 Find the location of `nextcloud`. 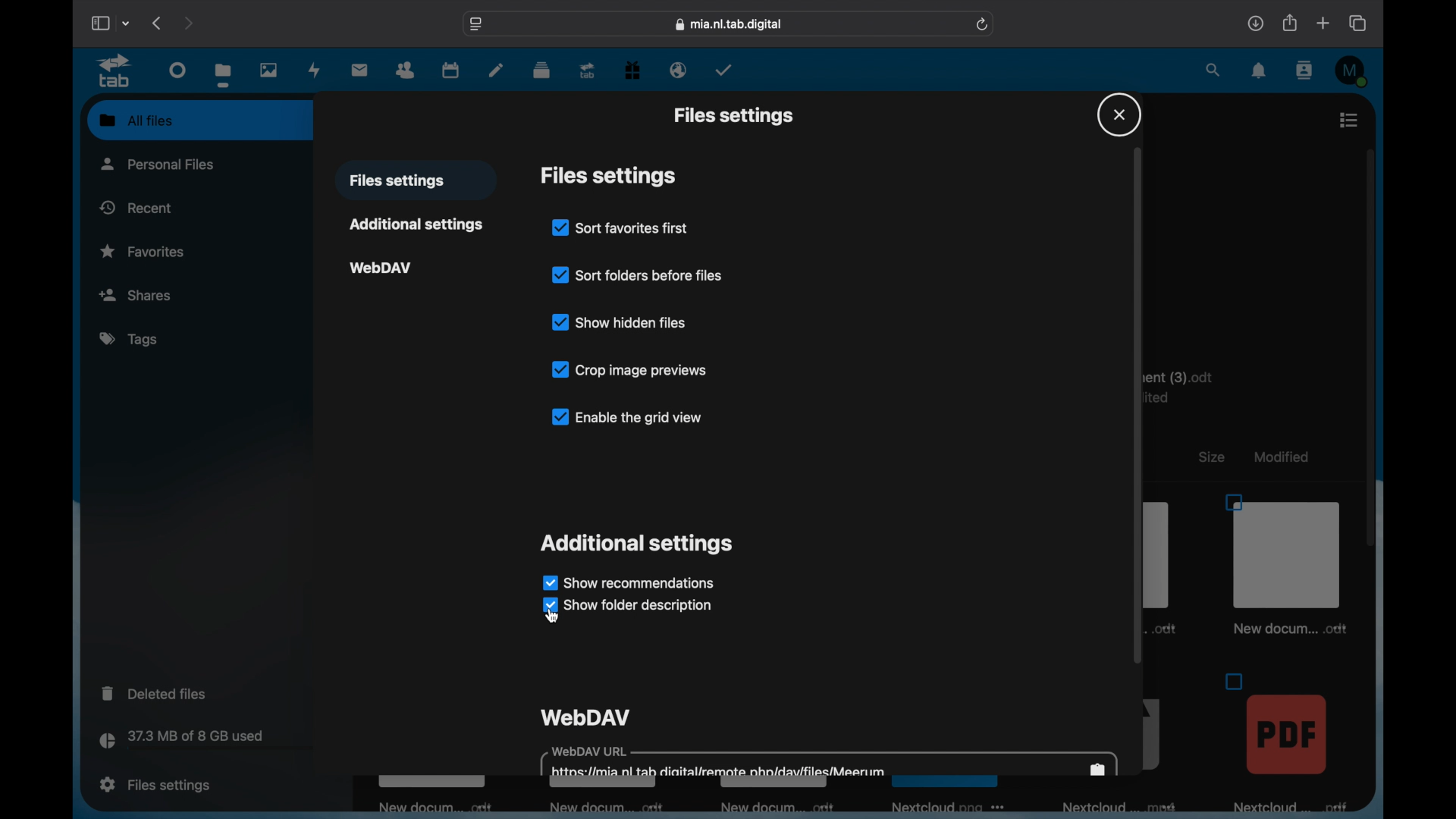

nextcloud is located at coordinates (945, 811).